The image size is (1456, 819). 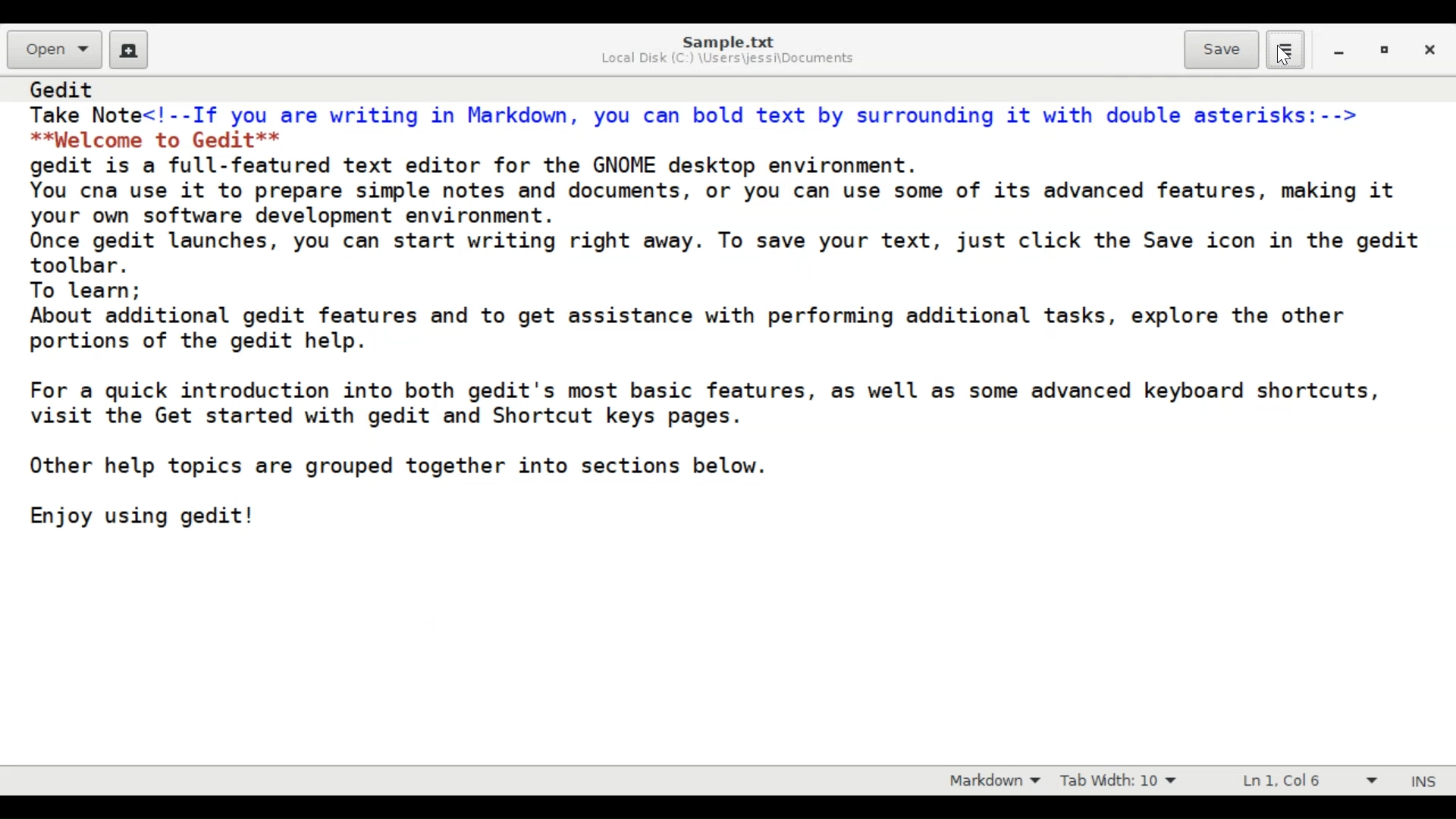 What do you see at coordinates (1389, 53) in the screenshot?
I see `restore` at bounding box center [1389, 53].